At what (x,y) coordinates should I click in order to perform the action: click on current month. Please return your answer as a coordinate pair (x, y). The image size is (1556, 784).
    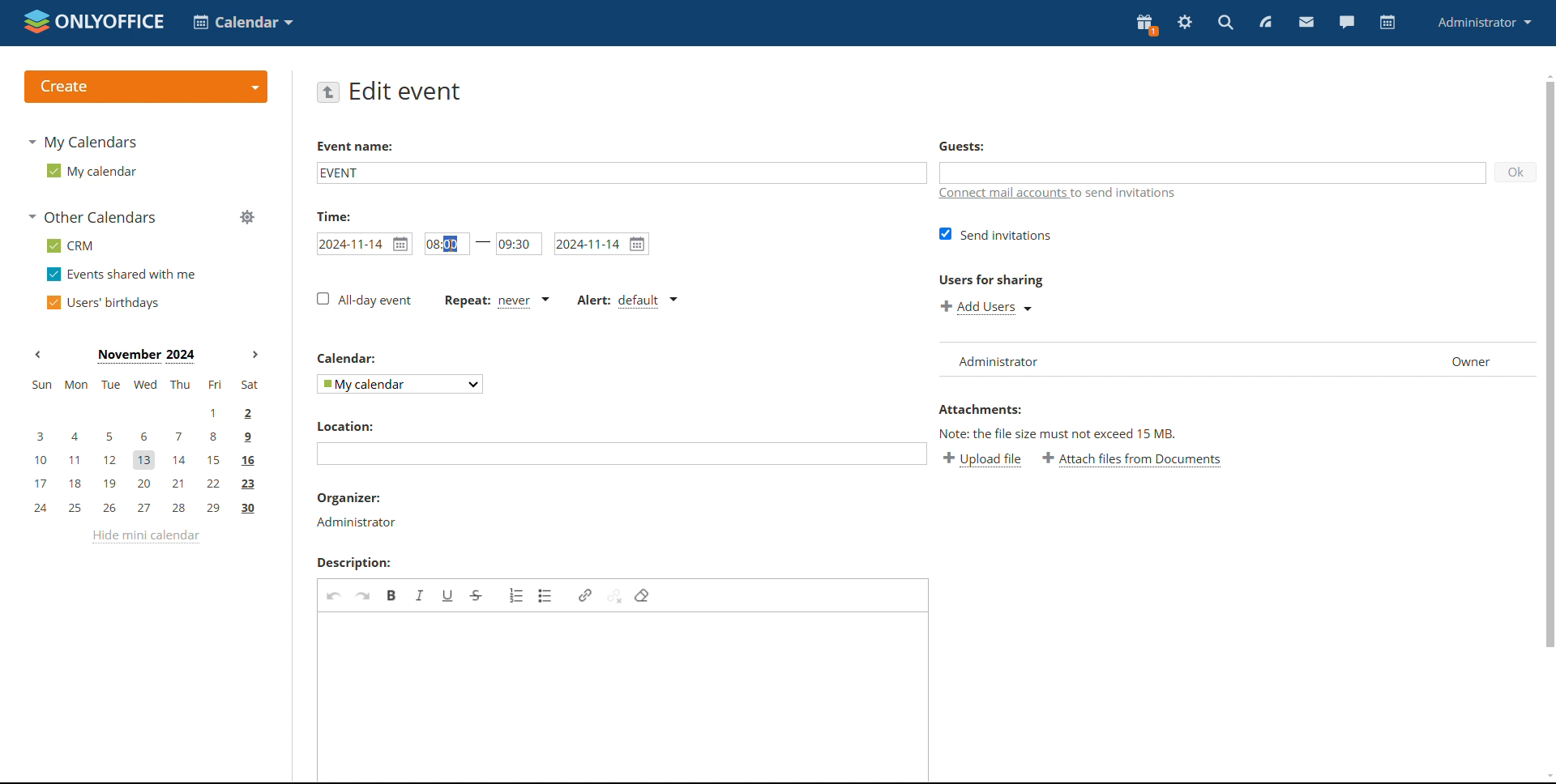
    Looking at the image, I should click on (146, 355).